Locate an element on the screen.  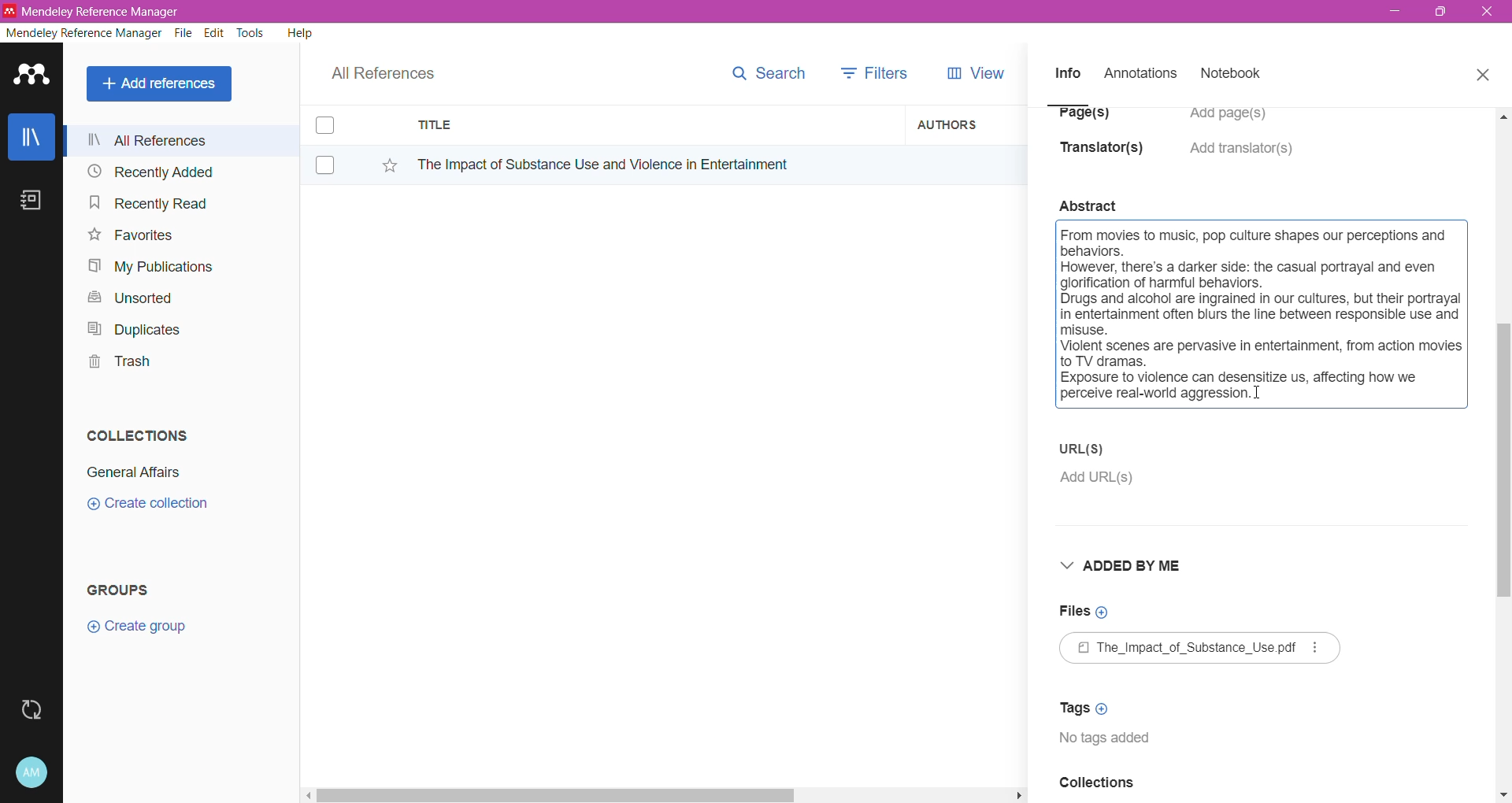
Collections is located at coordinates (1096, 787).